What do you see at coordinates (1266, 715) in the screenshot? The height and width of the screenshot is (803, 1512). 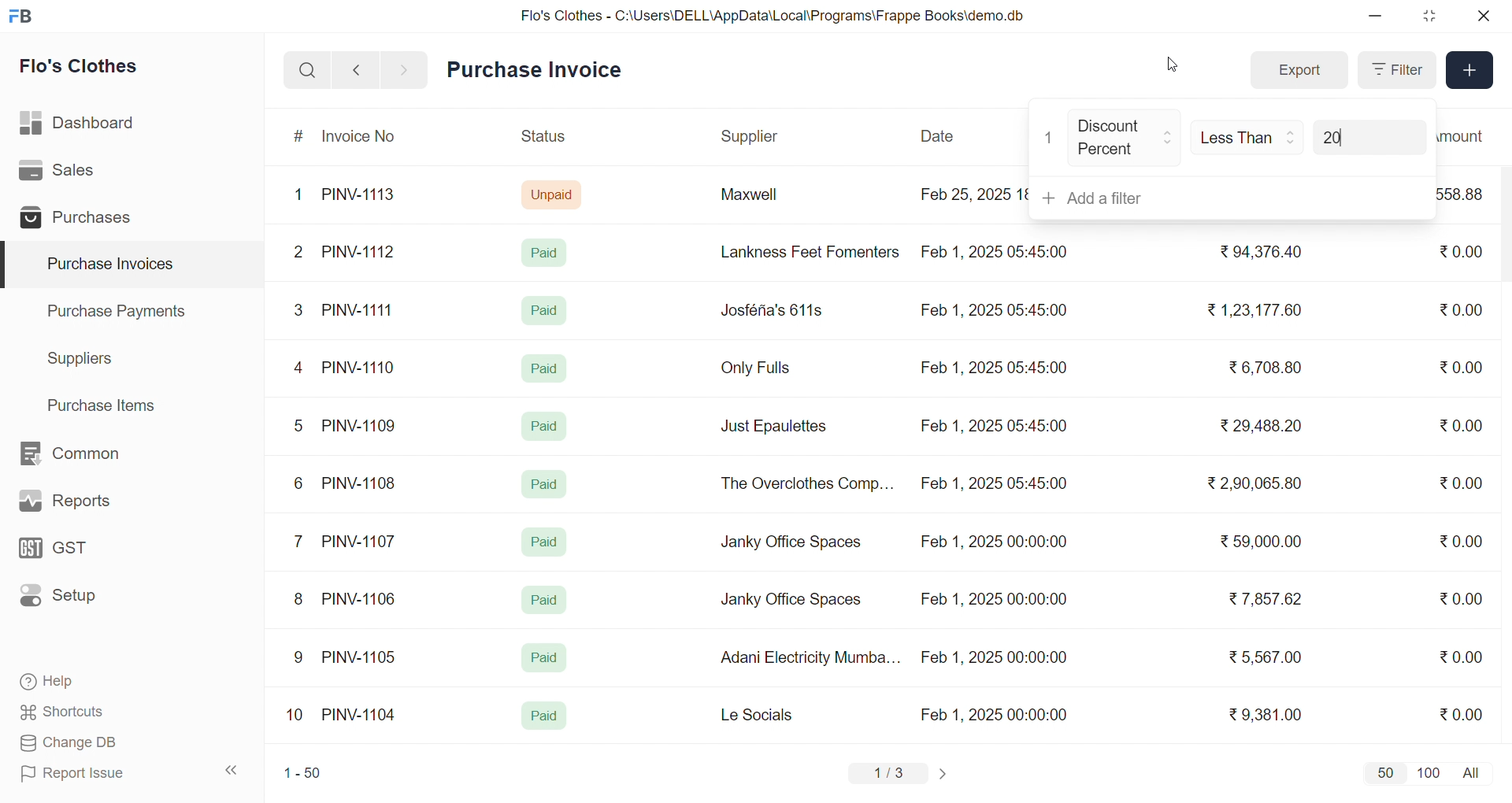 I see `₹9,381.00` at bounding box center [1266, 715].